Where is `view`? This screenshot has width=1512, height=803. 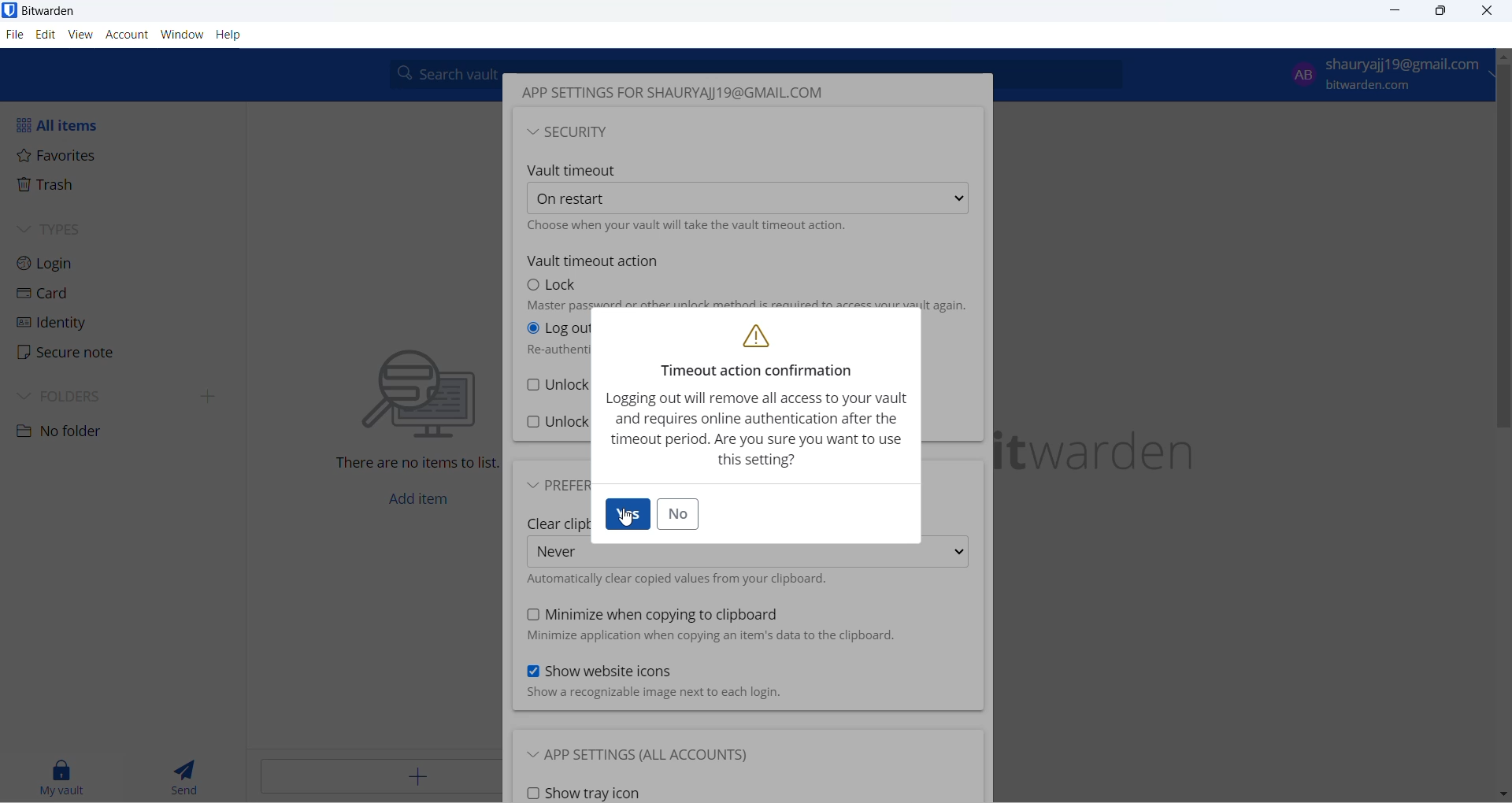
view is located at coordinates (81, 34).